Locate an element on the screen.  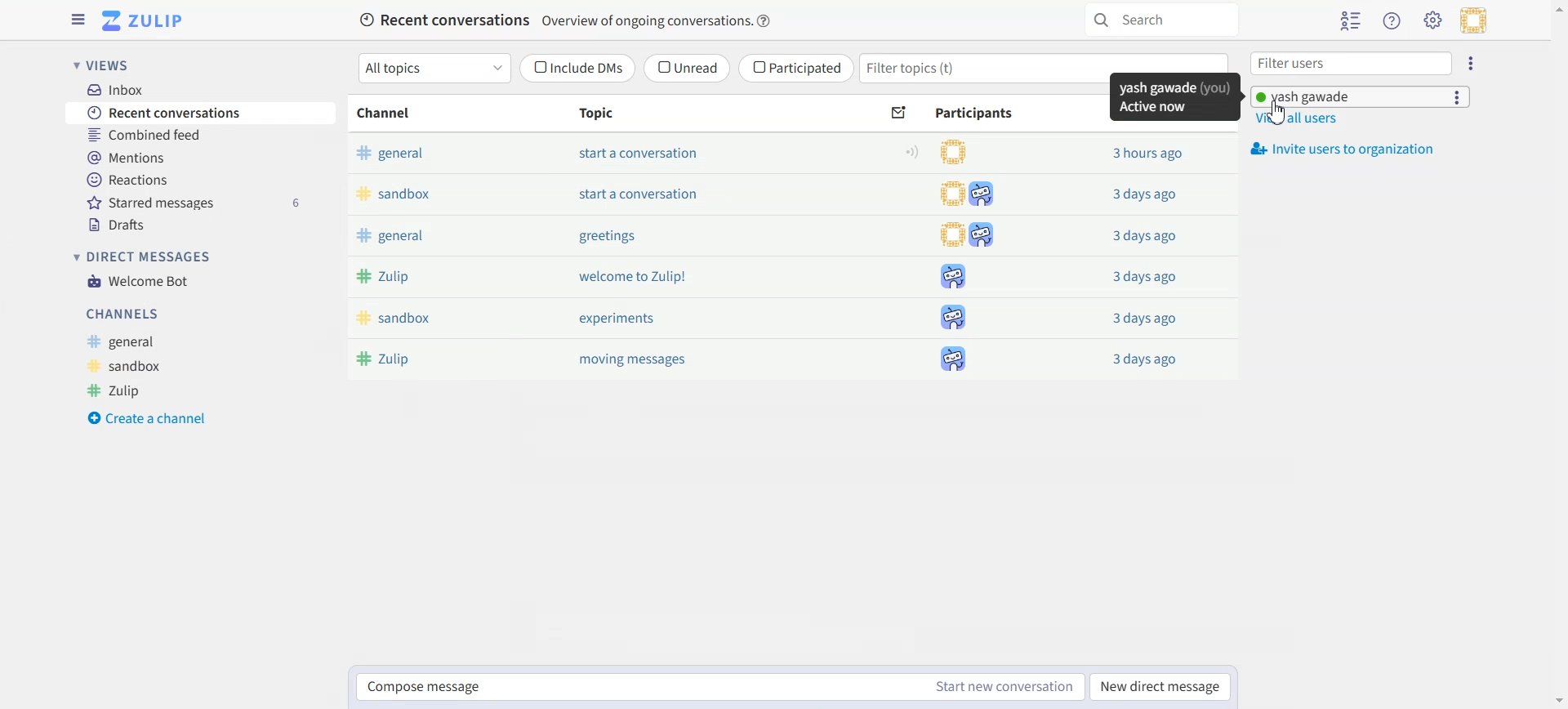
sandbox is located at coordinates (401, 316).